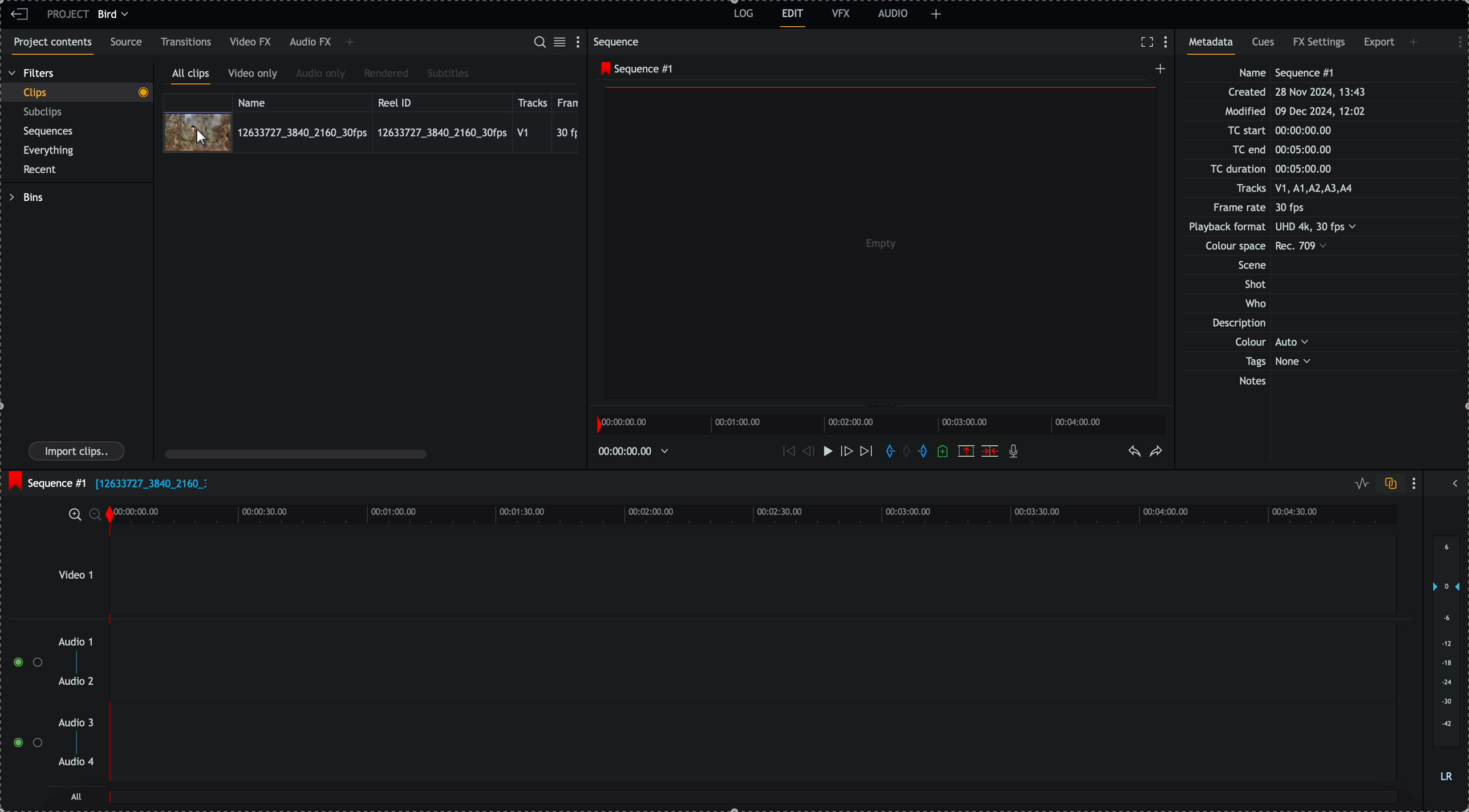 The width and height of the screenshot is (1469, 812). Describe the element at coordinates (47, 152) in the screenshot. I see `` at that location.